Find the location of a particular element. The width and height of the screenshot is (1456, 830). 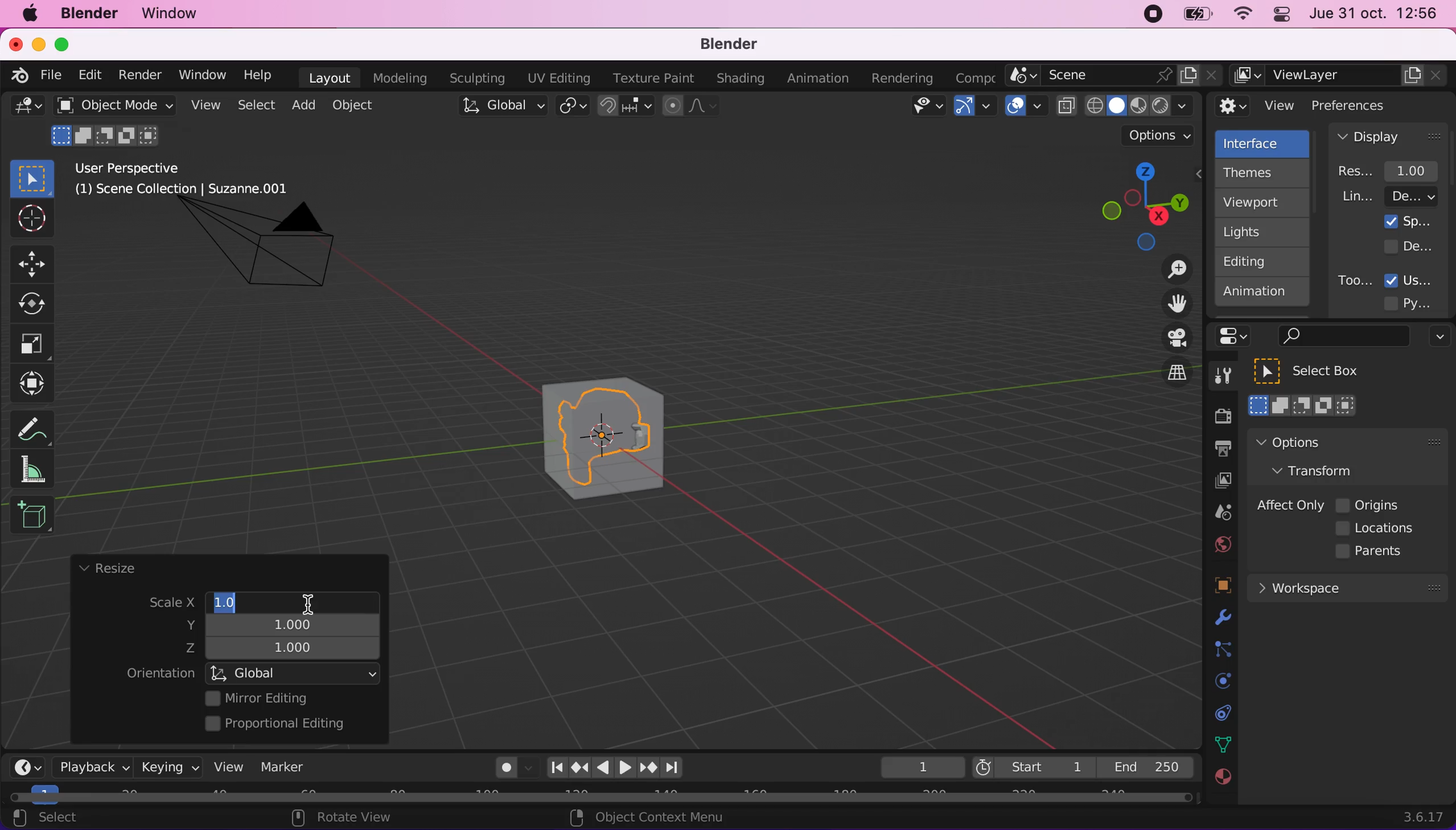

line width is located at coordinates (1389, 196).